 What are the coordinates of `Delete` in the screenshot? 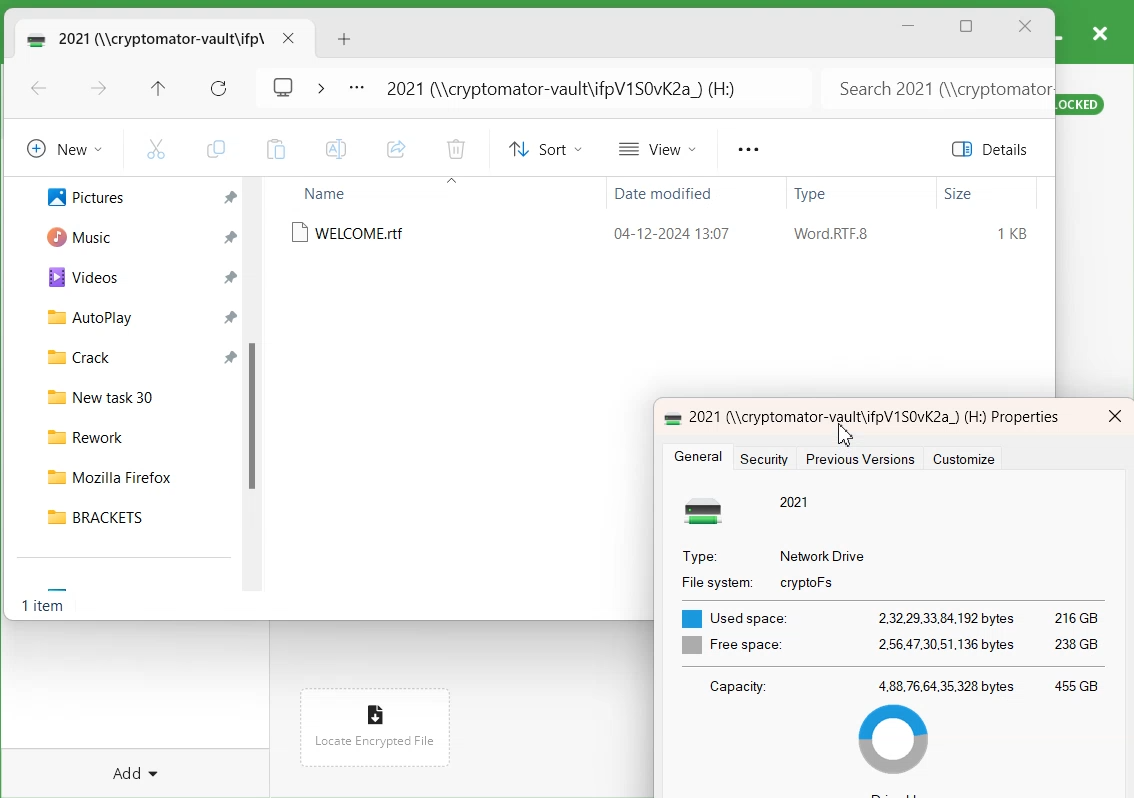 It's located at (455, 151).